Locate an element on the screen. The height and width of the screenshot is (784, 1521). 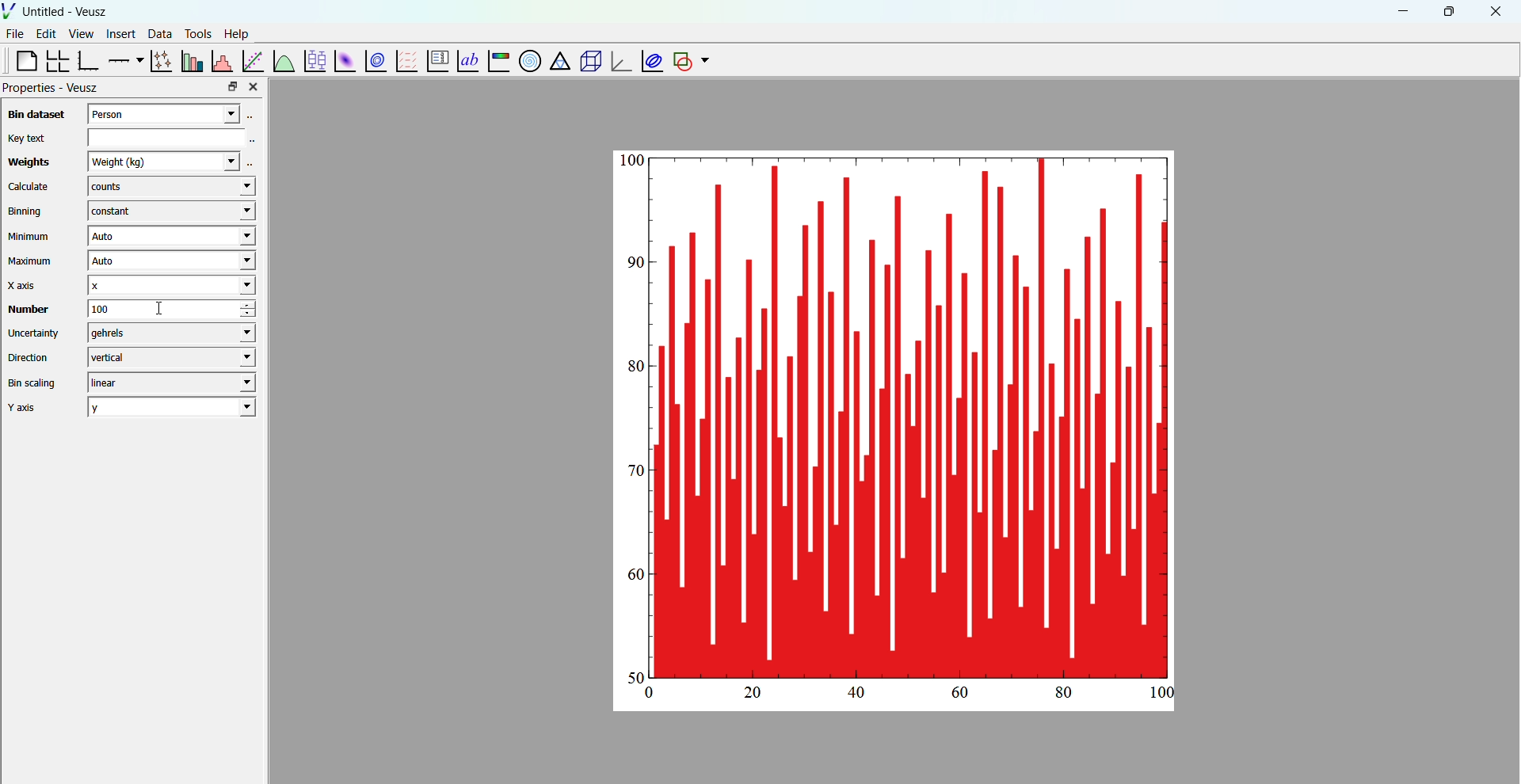
Key text is located at coordinates (25, 138).